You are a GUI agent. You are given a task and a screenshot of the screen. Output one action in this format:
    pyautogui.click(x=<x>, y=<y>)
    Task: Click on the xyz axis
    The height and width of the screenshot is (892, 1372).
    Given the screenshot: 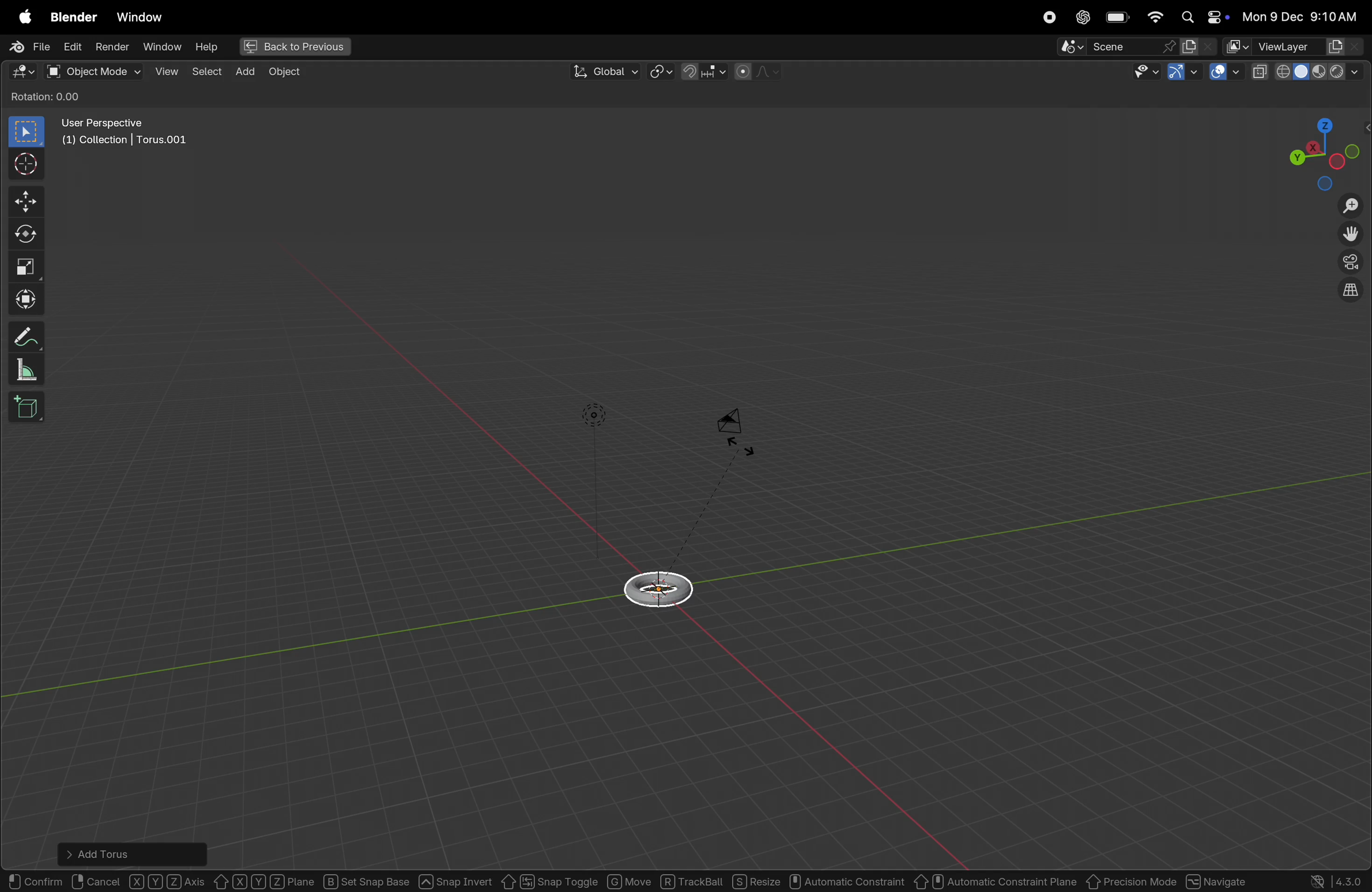 What is the action you would take?
    pyautogui.click(x=168, y=879)
    